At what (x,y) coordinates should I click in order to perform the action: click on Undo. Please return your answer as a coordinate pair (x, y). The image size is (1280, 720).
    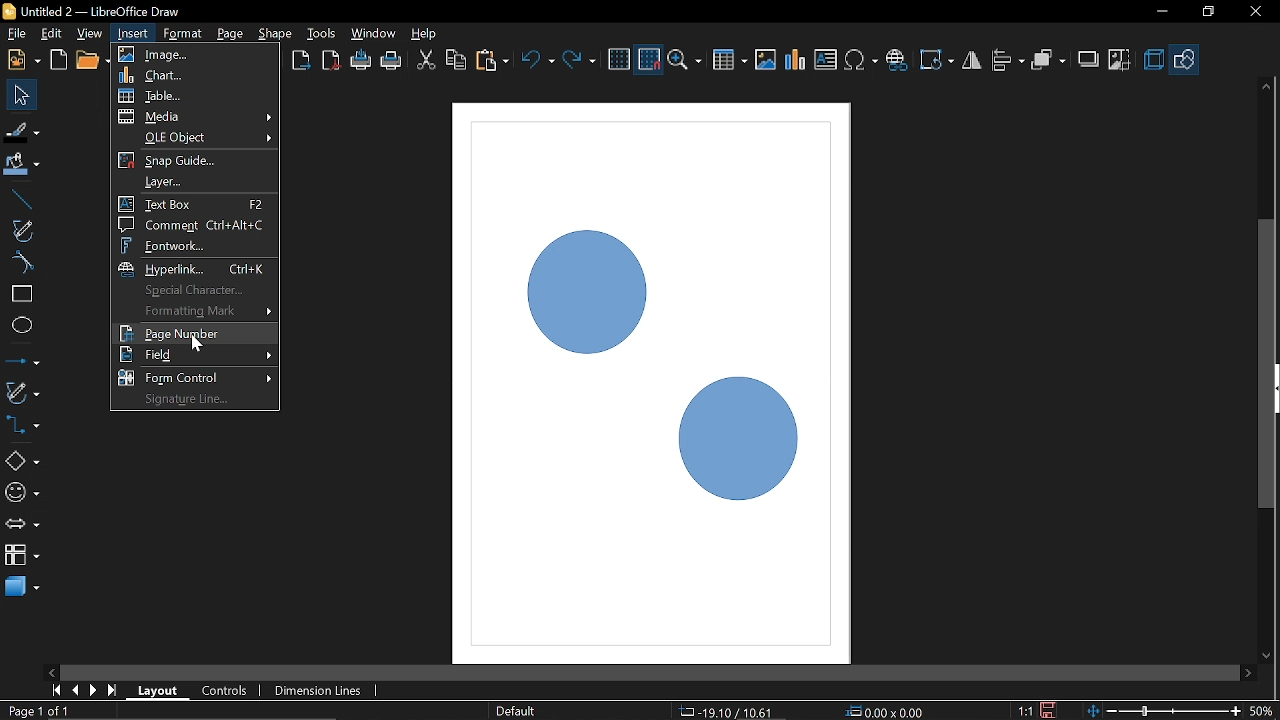
    Looking at the image, I should click on (539, 62).